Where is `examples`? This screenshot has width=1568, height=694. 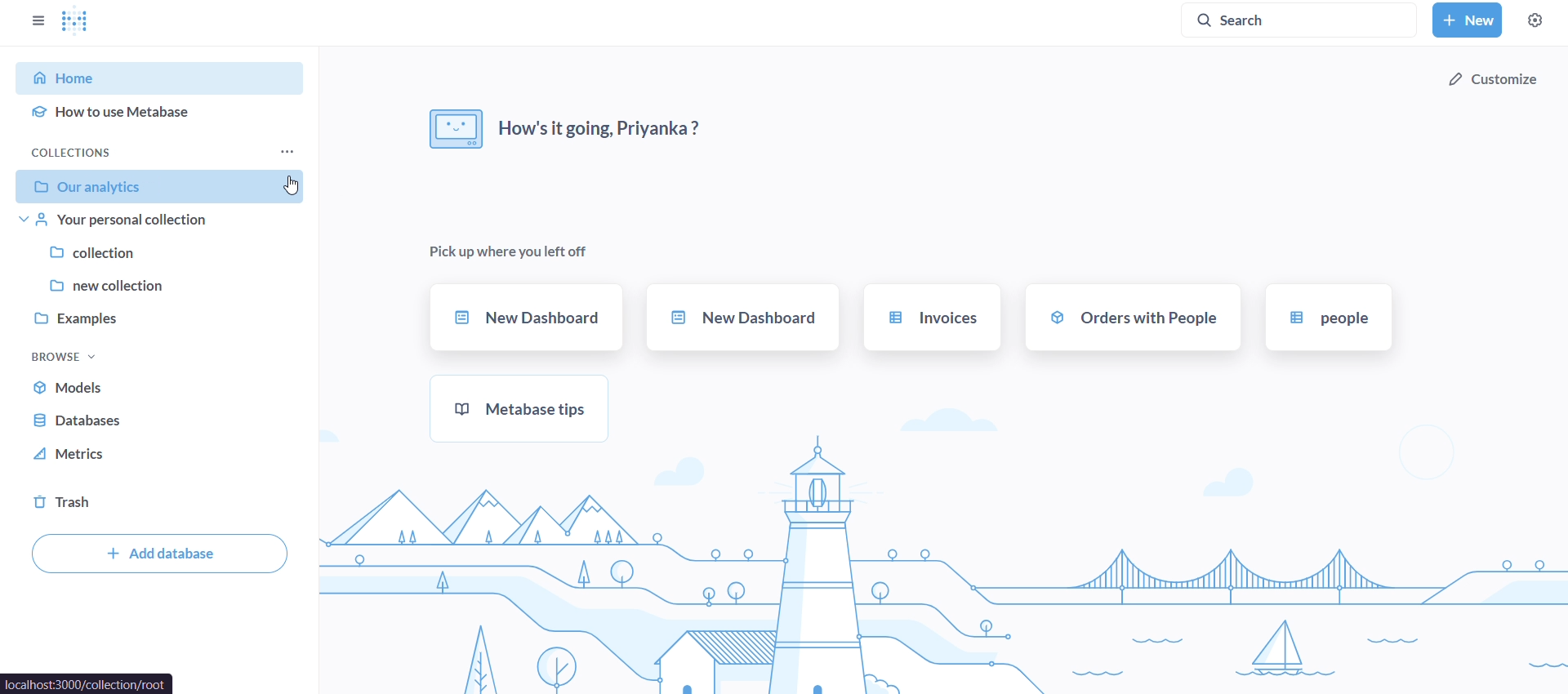 examples is located at coordinates (162, 316).